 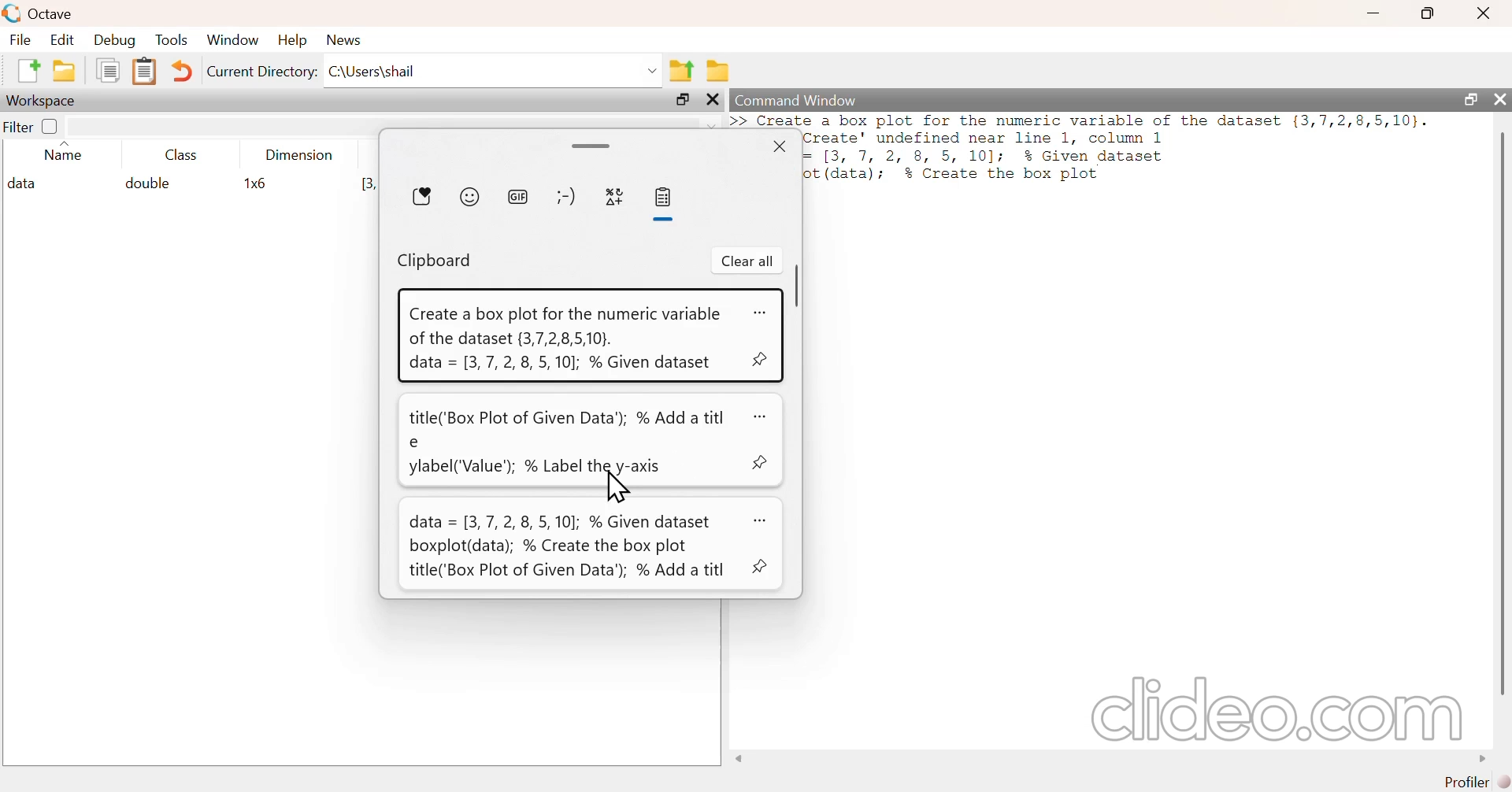 I want to click on data, so click(x=28, y=183).